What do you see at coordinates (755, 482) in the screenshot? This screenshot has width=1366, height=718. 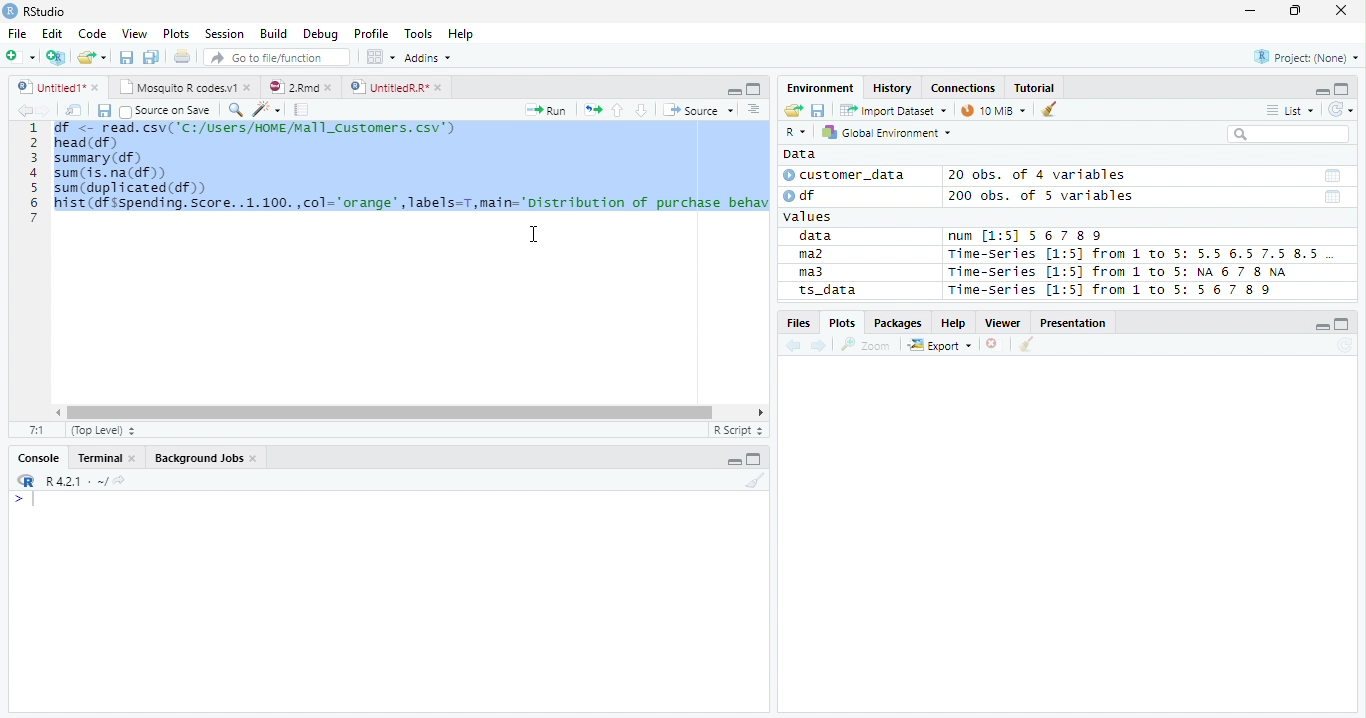 I see `Clean` at bounding box center [755, 482].